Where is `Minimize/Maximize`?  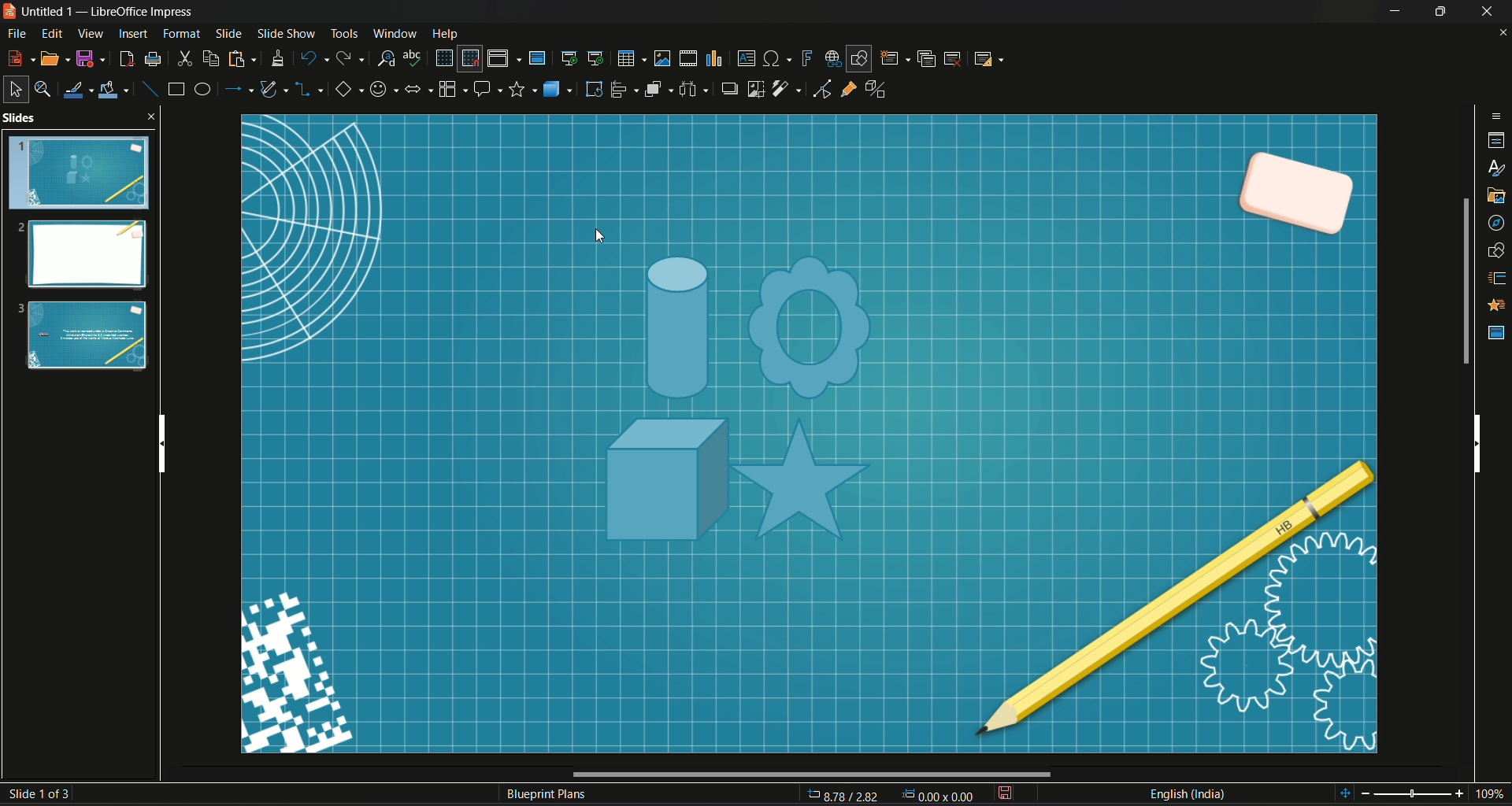 Minimize/Maximize is located at coordinates (1439, 11).